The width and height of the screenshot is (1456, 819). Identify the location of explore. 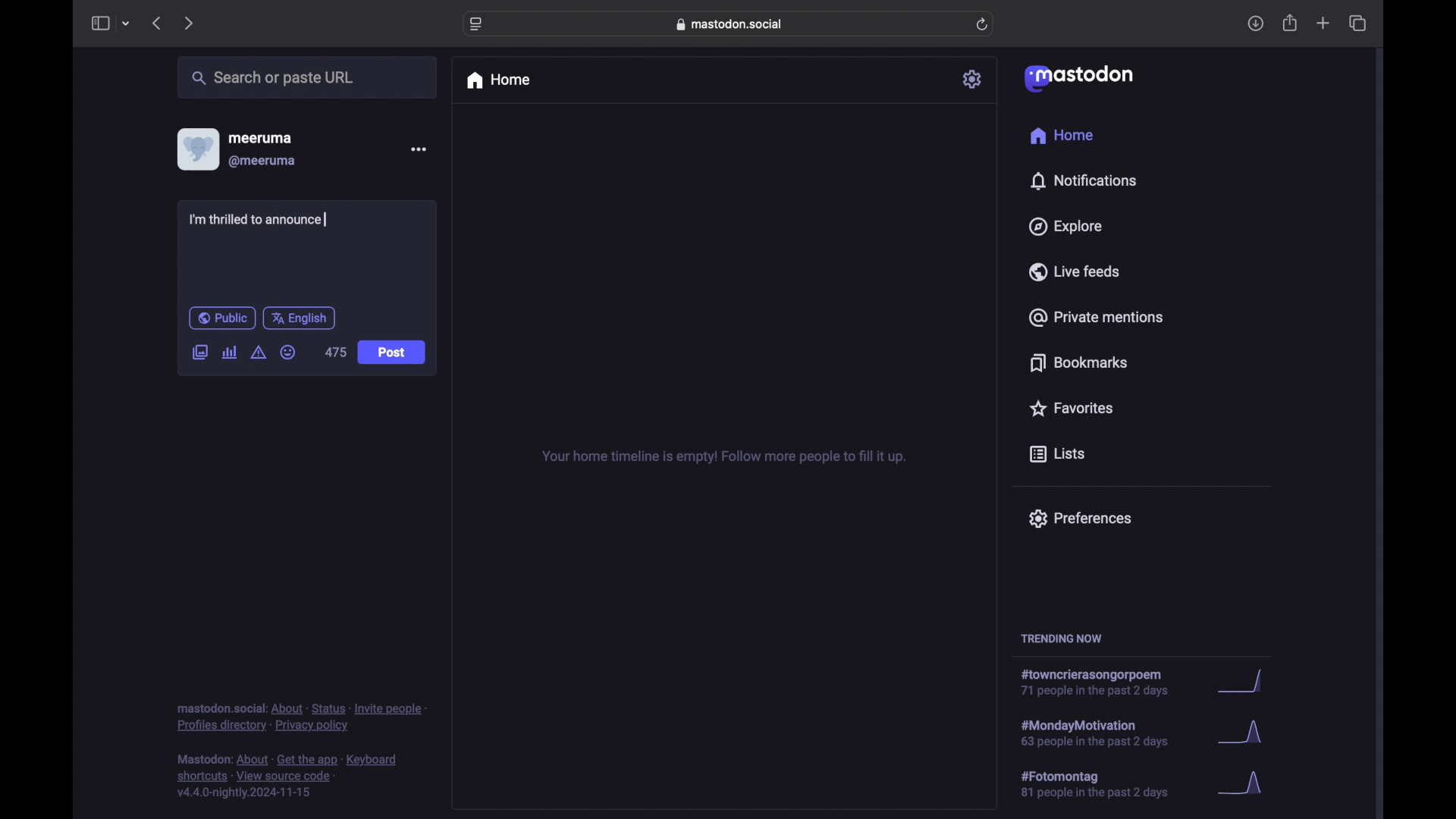
(1066, 227).